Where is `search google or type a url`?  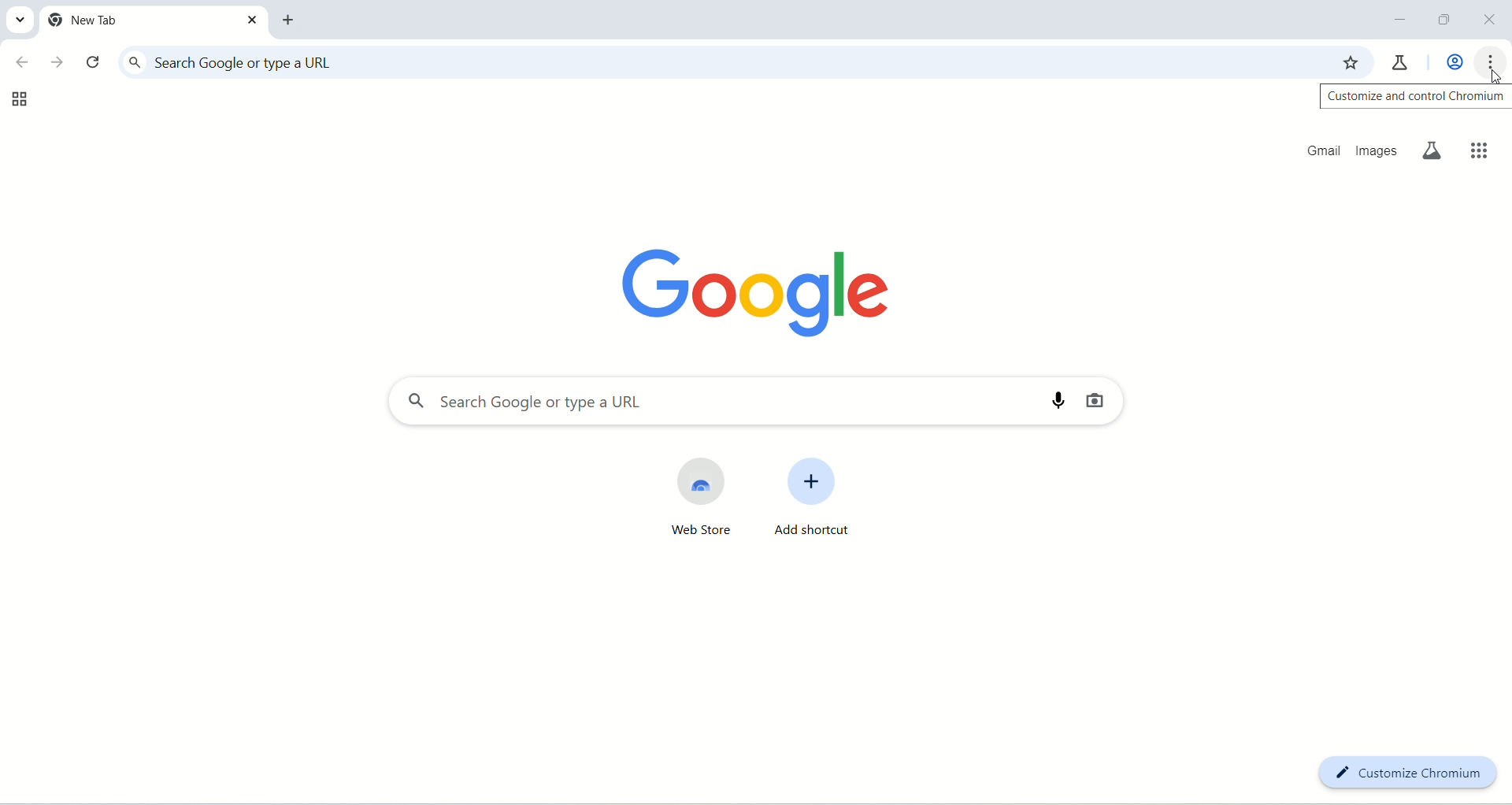 search google or type a url is located at coordinates (699, 402).